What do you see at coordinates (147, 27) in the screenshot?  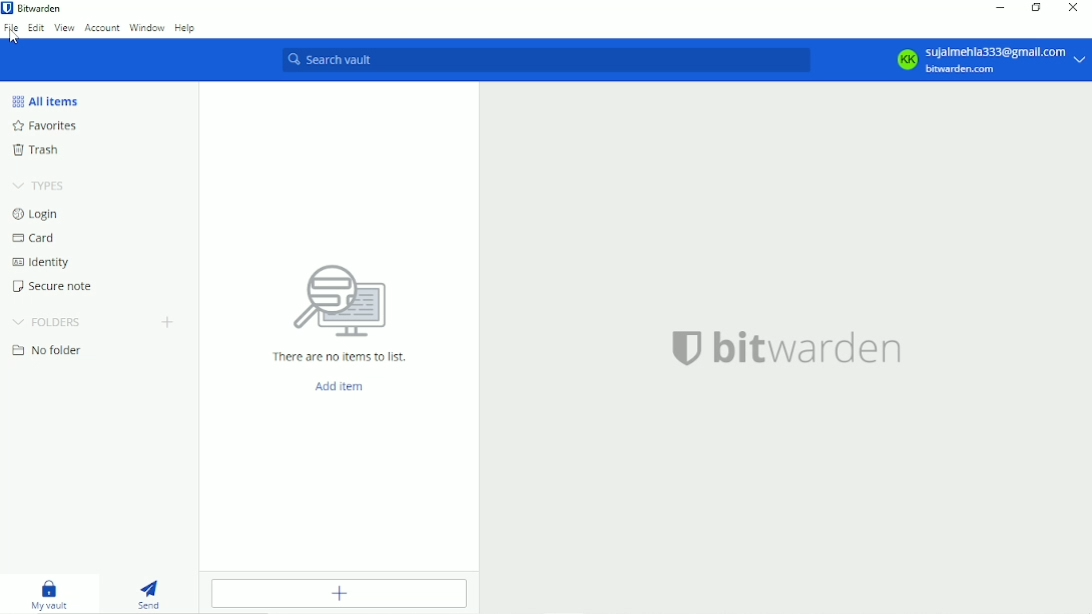 I see `Window` at bounding box center [147, 27].